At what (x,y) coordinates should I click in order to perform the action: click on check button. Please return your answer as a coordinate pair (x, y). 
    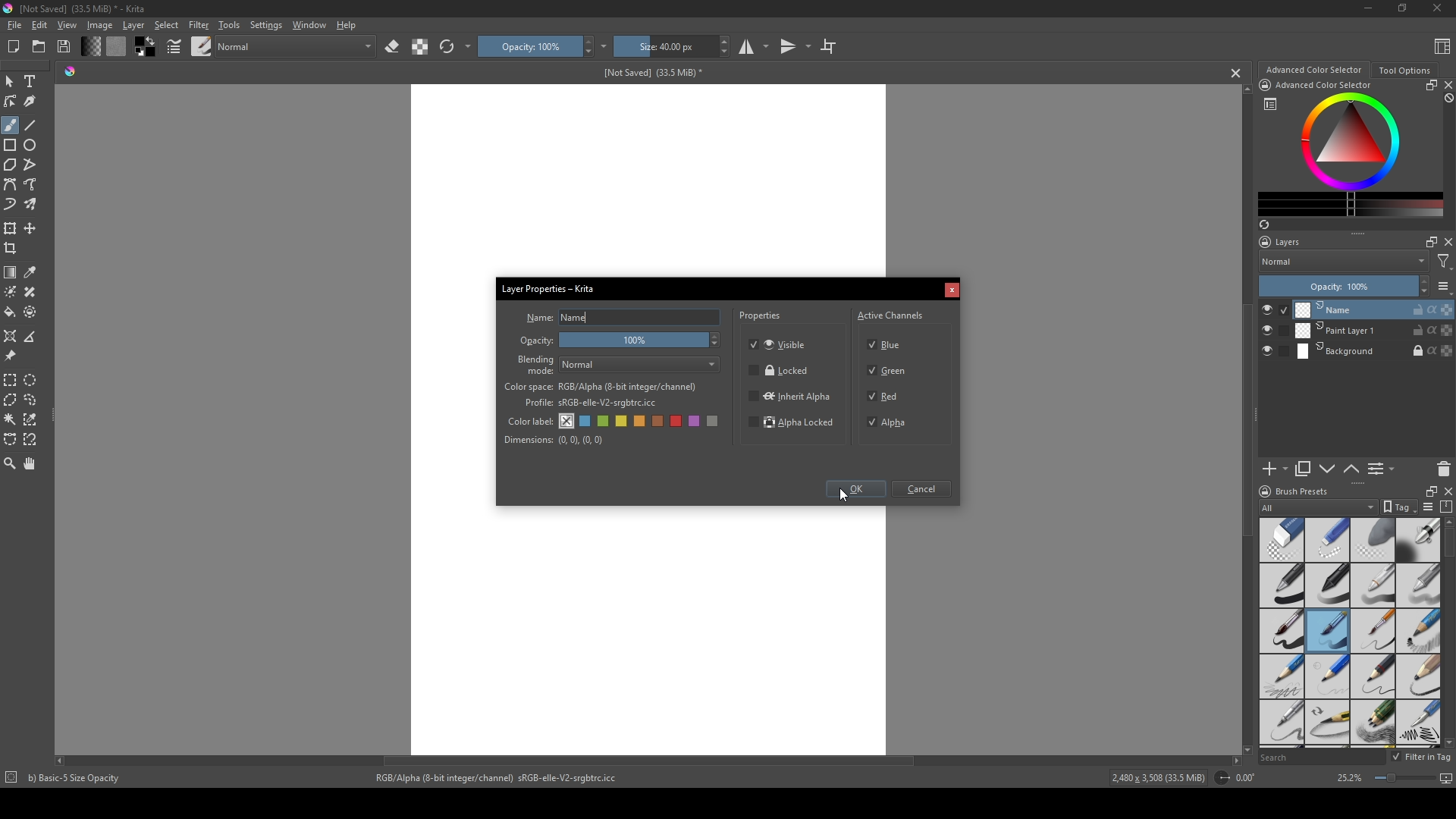
    Looking at the image, I should click on (1275, 331).